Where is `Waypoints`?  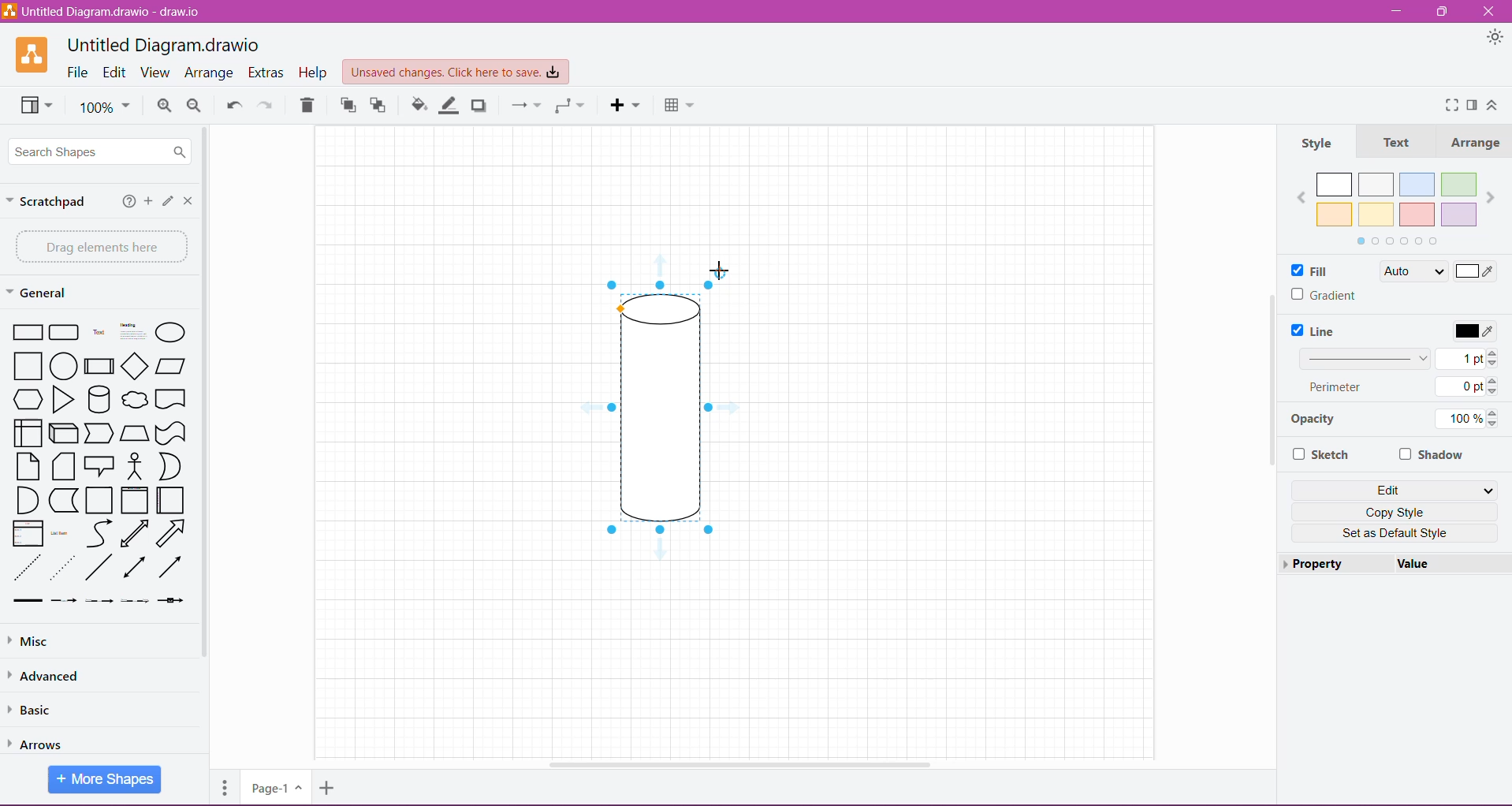
Waypoints is located at coordinates (568, 107).